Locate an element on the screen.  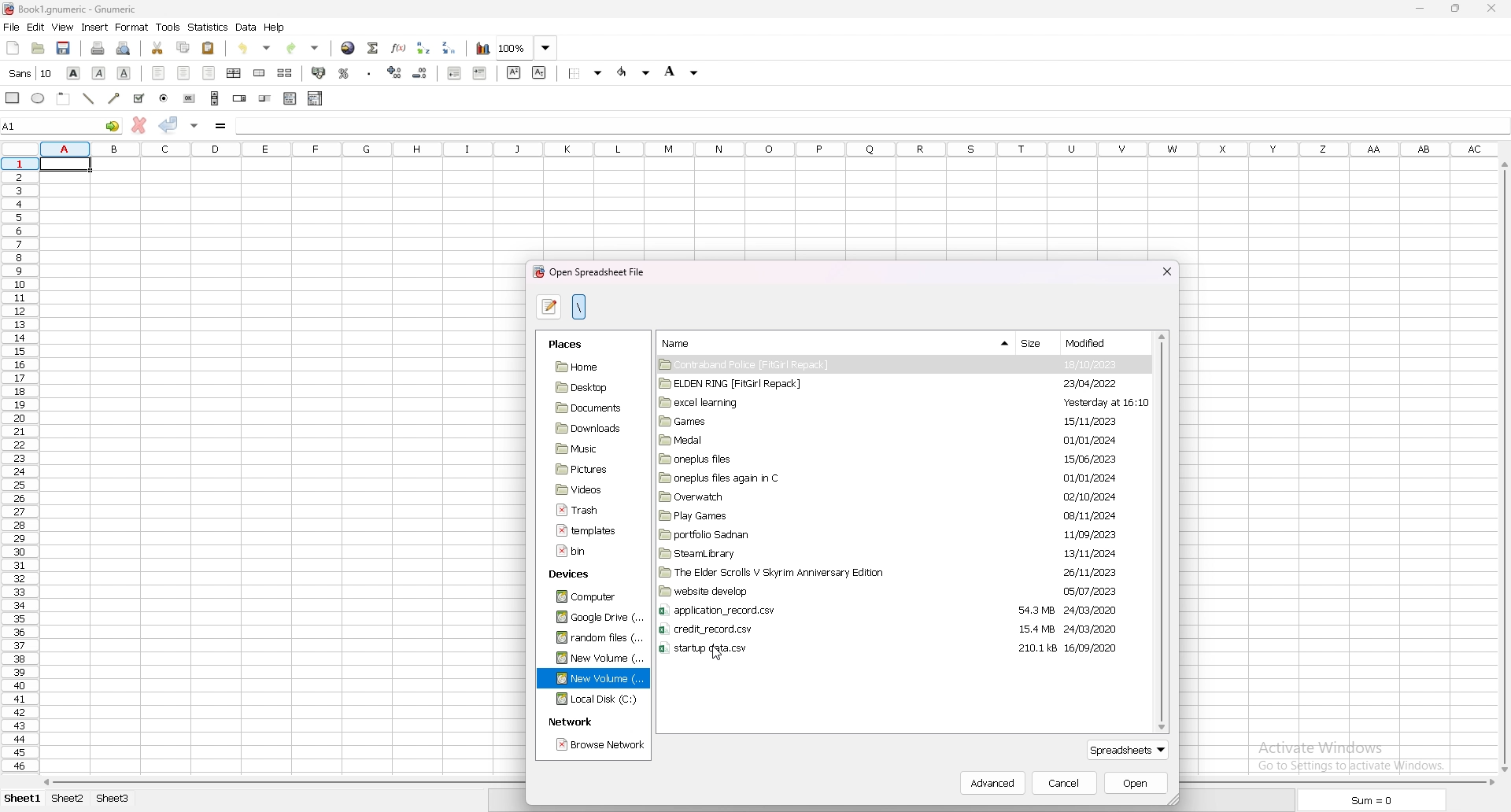
open is located at coordinates (39, 48).